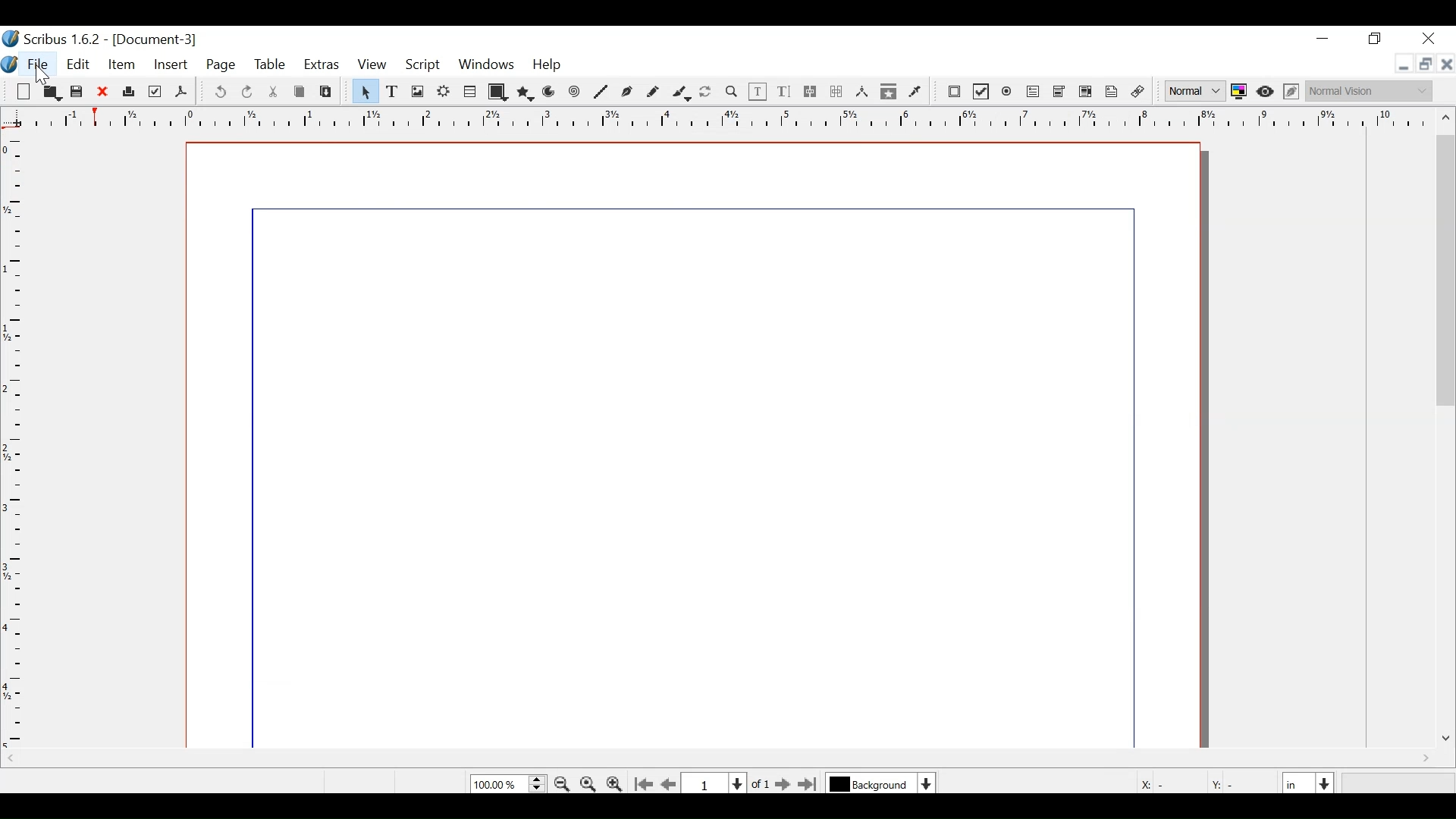 The image size is (1456, 819). What do you see at coordinates (926, 782) in the screenshot?
I see `` at bounding box center [926, 782].